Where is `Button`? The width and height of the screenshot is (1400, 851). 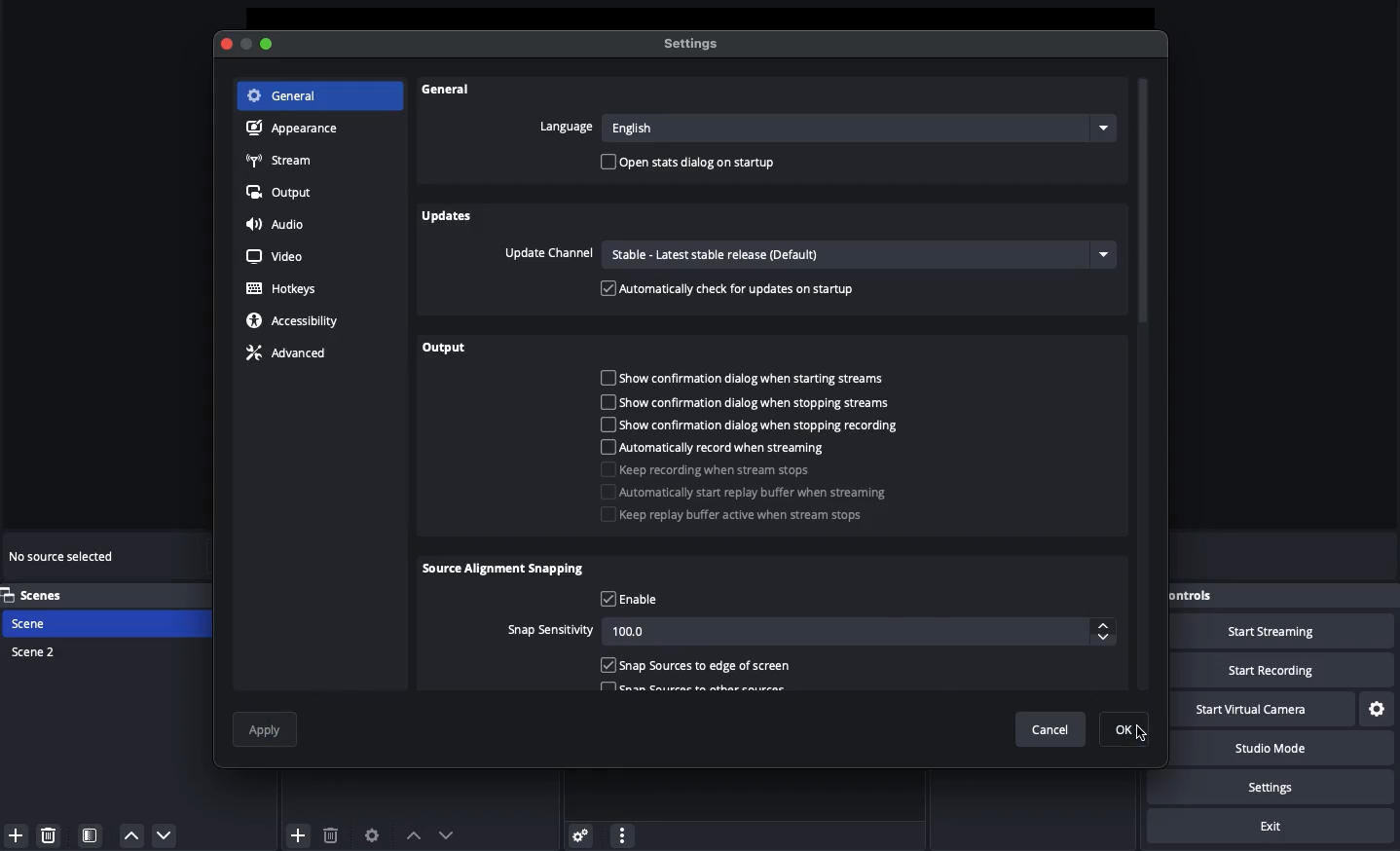 Button is located at coordinates (247, 45).